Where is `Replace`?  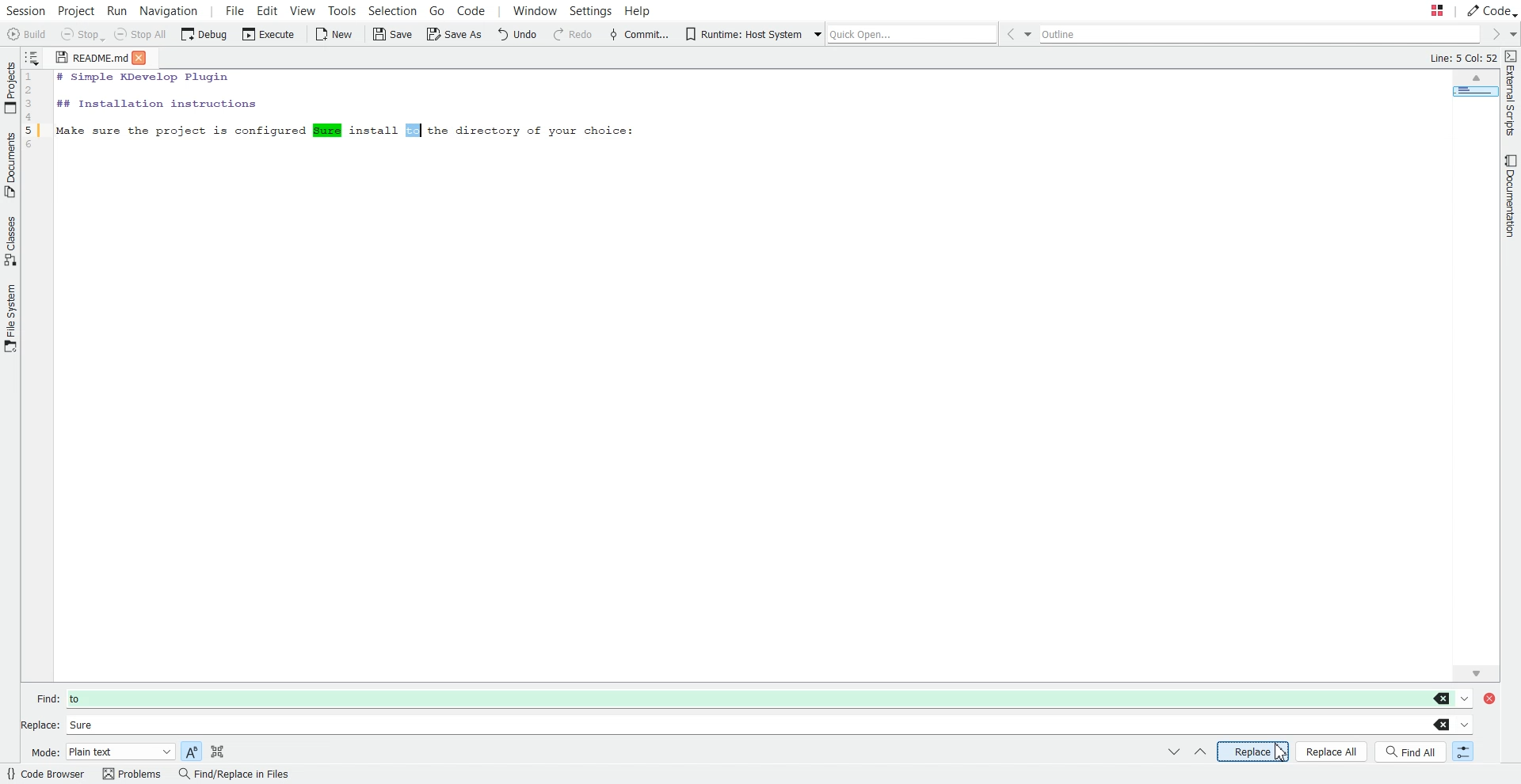 Replace is located at coordinates (1253, 751).